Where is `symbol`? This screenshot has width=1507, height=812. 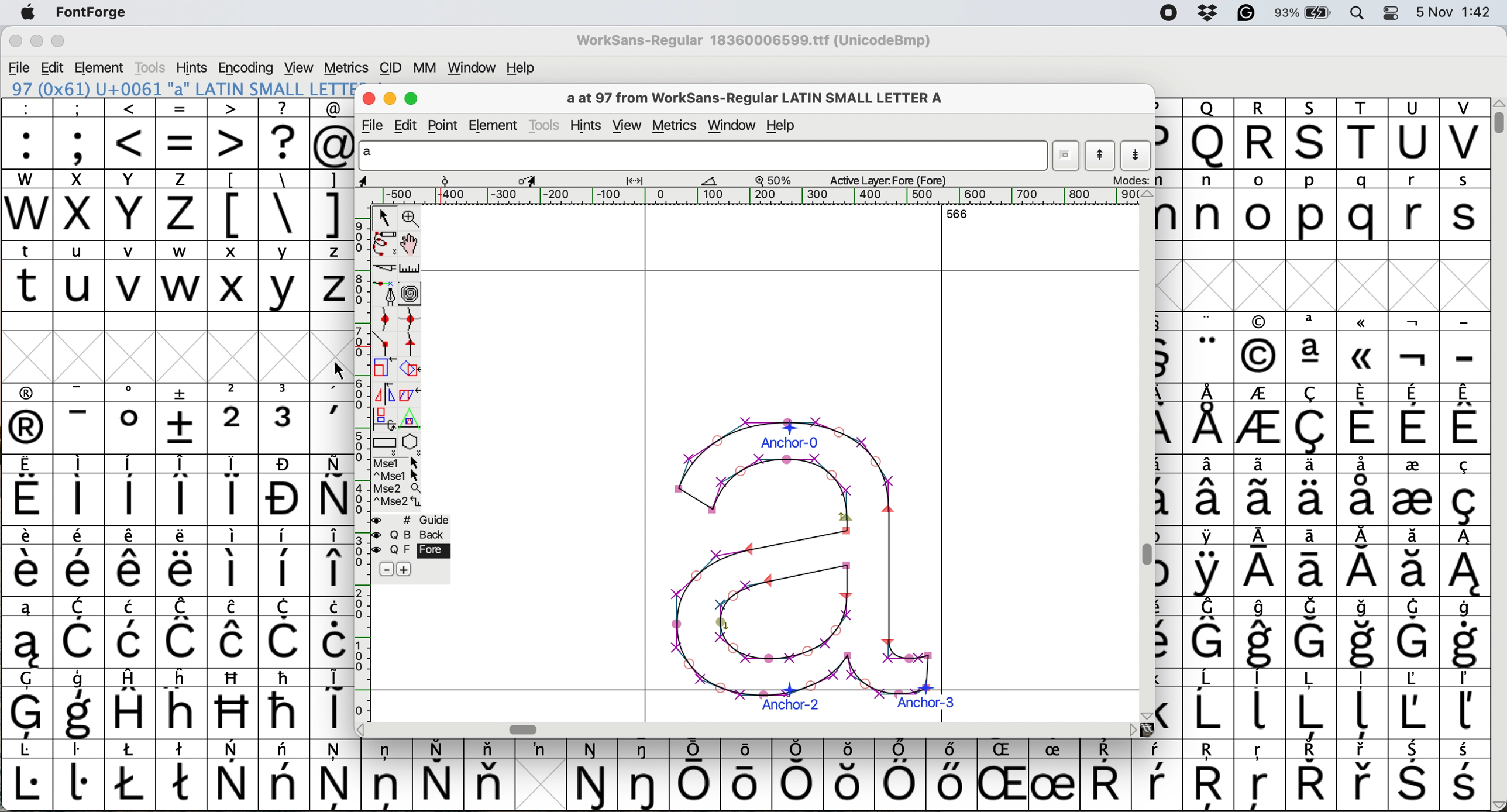
symbol is located at coordinates (800, 774).